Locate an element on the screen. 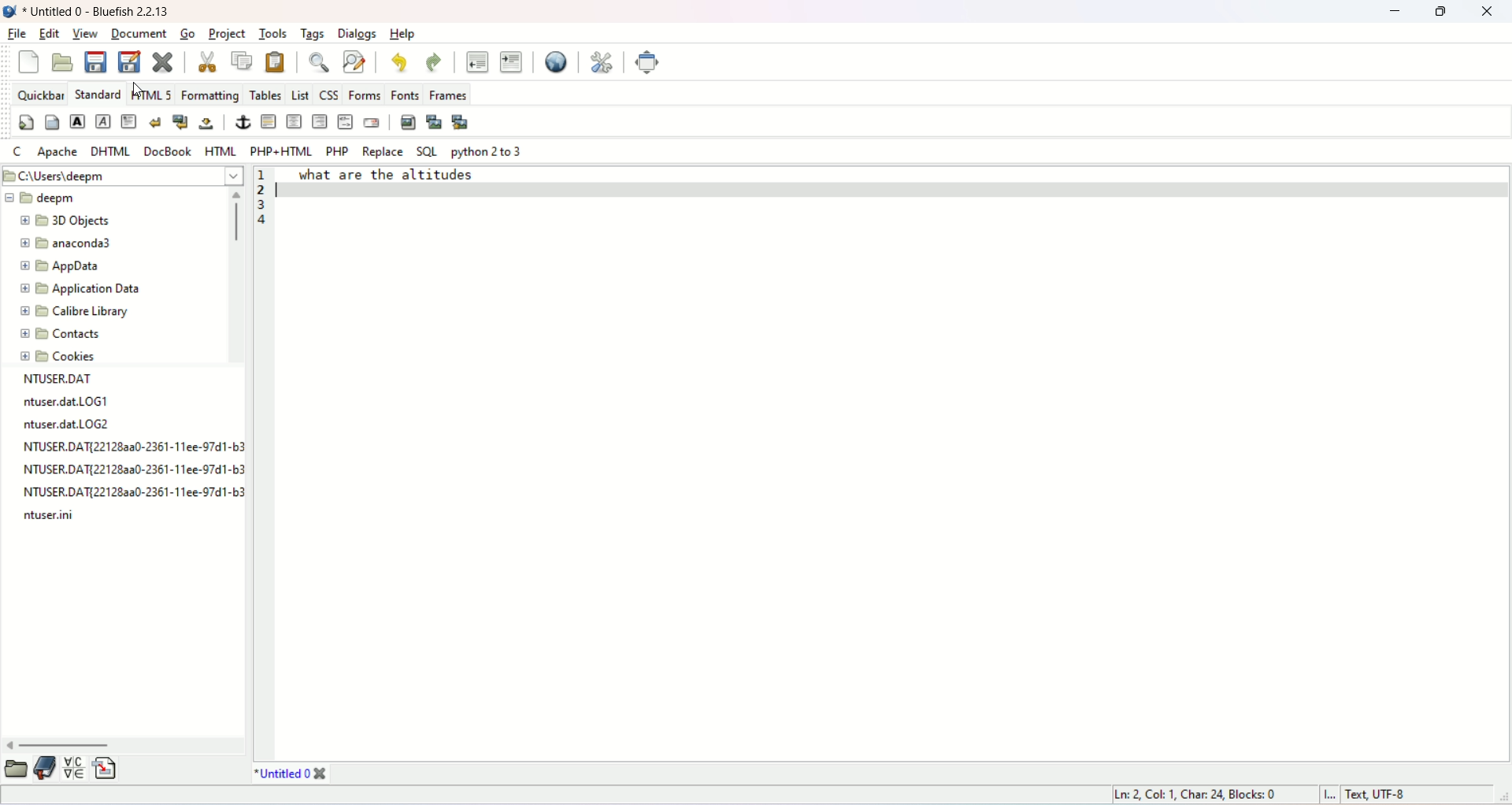 The height and width of the screenshot is (805, 1512). close is located at coordinates (1487, 12).